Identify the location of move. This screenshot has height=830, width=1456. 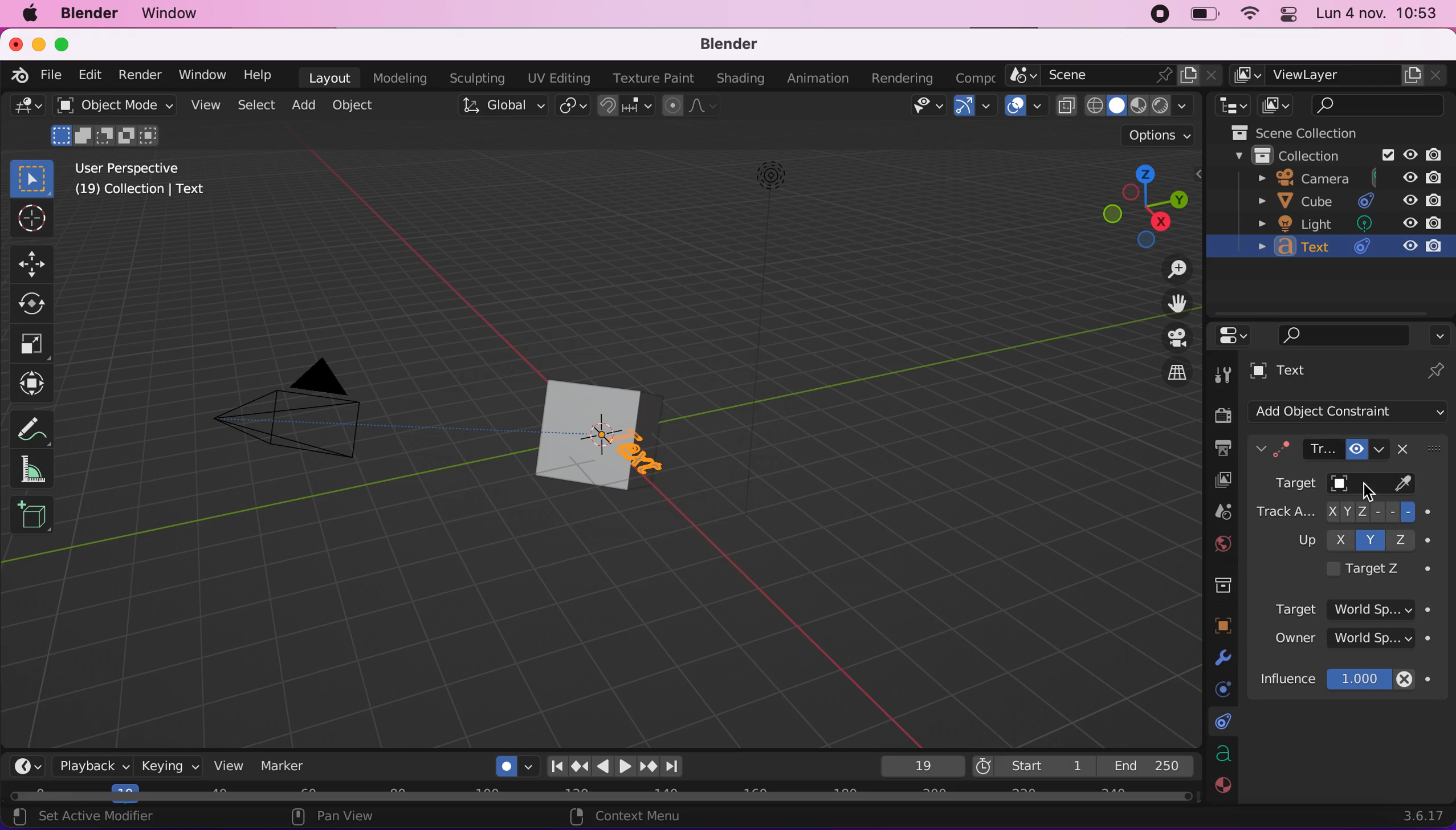
(39, 263).